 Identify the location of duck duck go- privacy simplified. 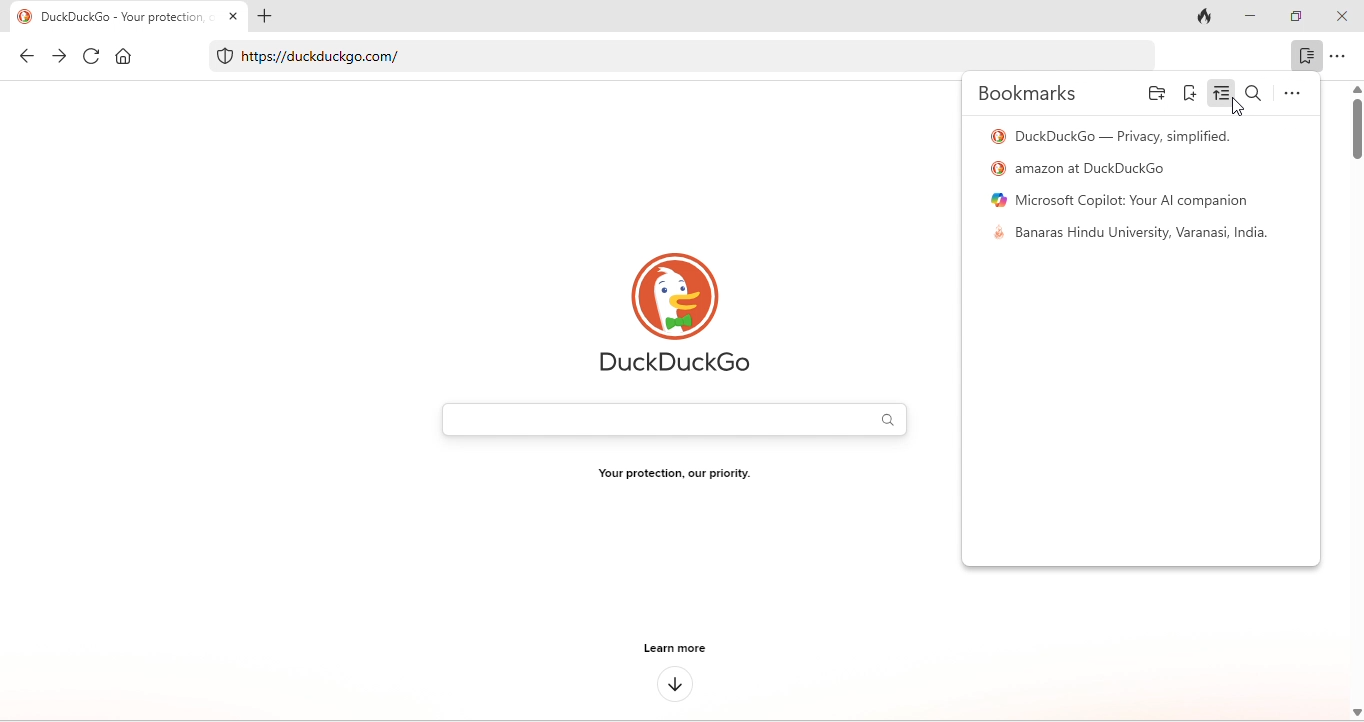
(1116, 135).